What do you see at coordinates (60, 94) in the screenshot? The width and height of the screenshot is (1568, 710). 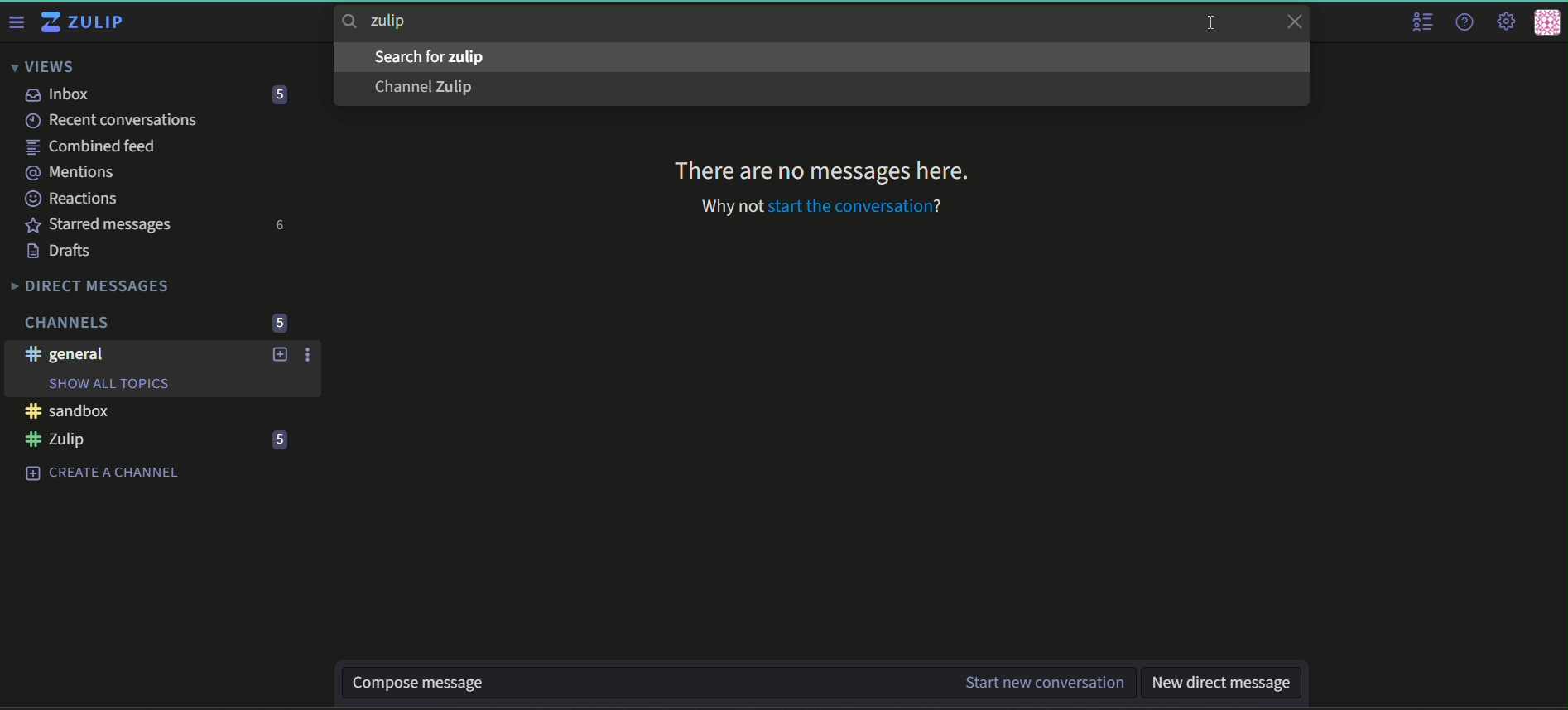 I see `inbox` at bounding box center [60, 94].